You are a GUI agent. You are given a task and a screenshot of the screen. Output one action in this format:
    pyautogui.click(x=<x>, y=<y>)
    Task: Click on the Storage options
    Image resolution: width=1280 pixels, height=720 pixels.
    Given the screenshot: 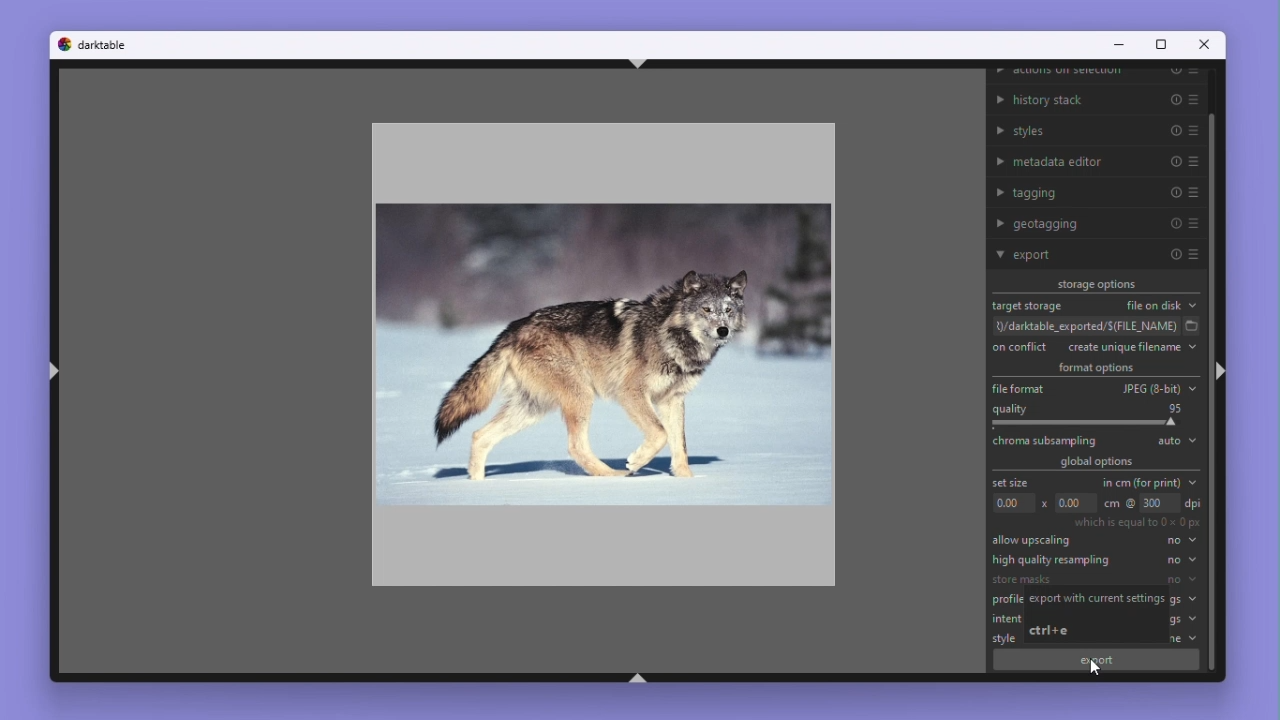 What is the action you would take?
    pyautogui.click(x=1094, y=285)
    